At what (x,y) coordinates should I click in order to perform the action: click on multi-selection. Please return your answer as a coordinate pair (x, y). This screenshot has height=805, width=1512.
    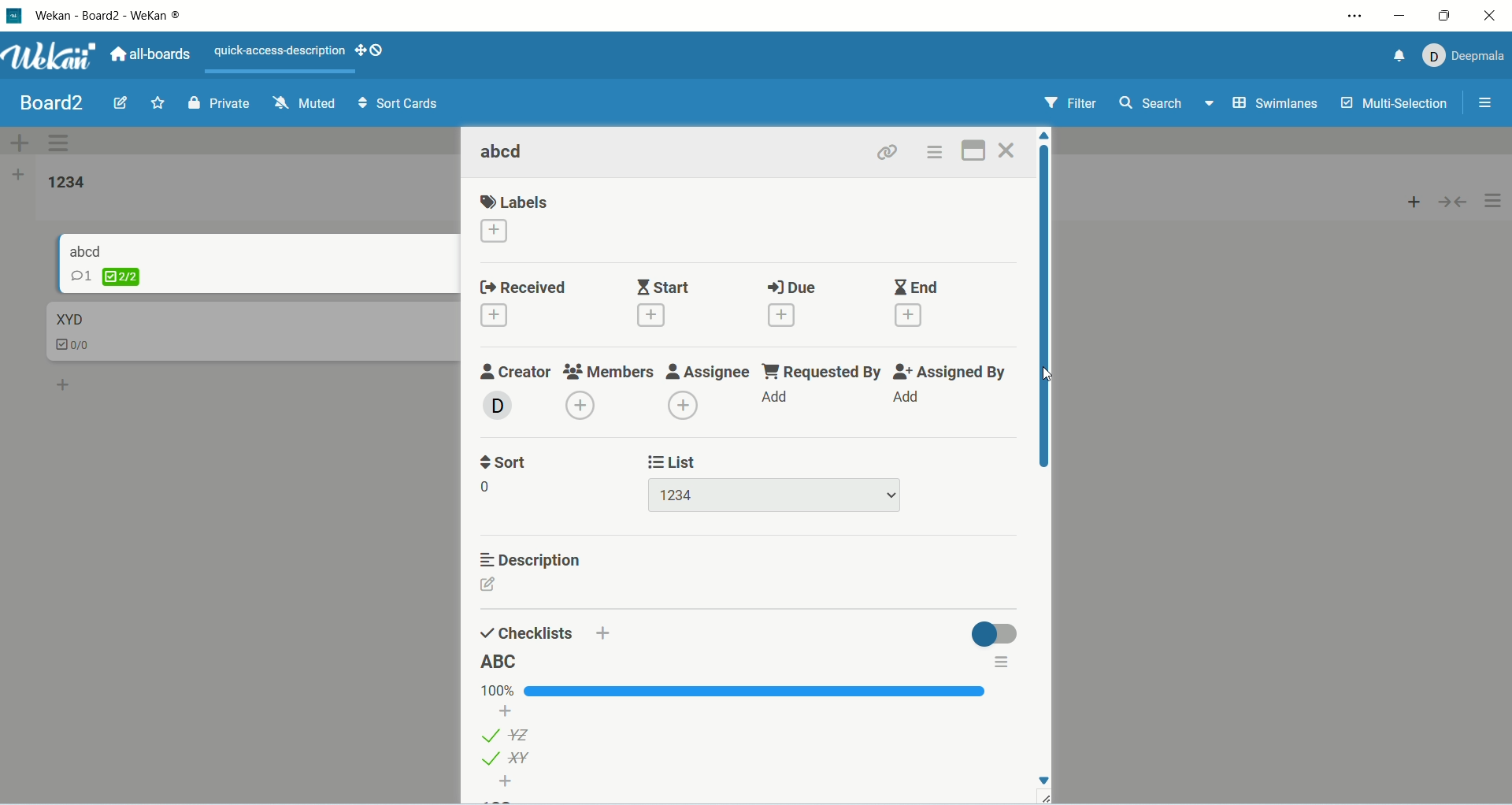
    Looking at the image, I should click on (1396, 106).